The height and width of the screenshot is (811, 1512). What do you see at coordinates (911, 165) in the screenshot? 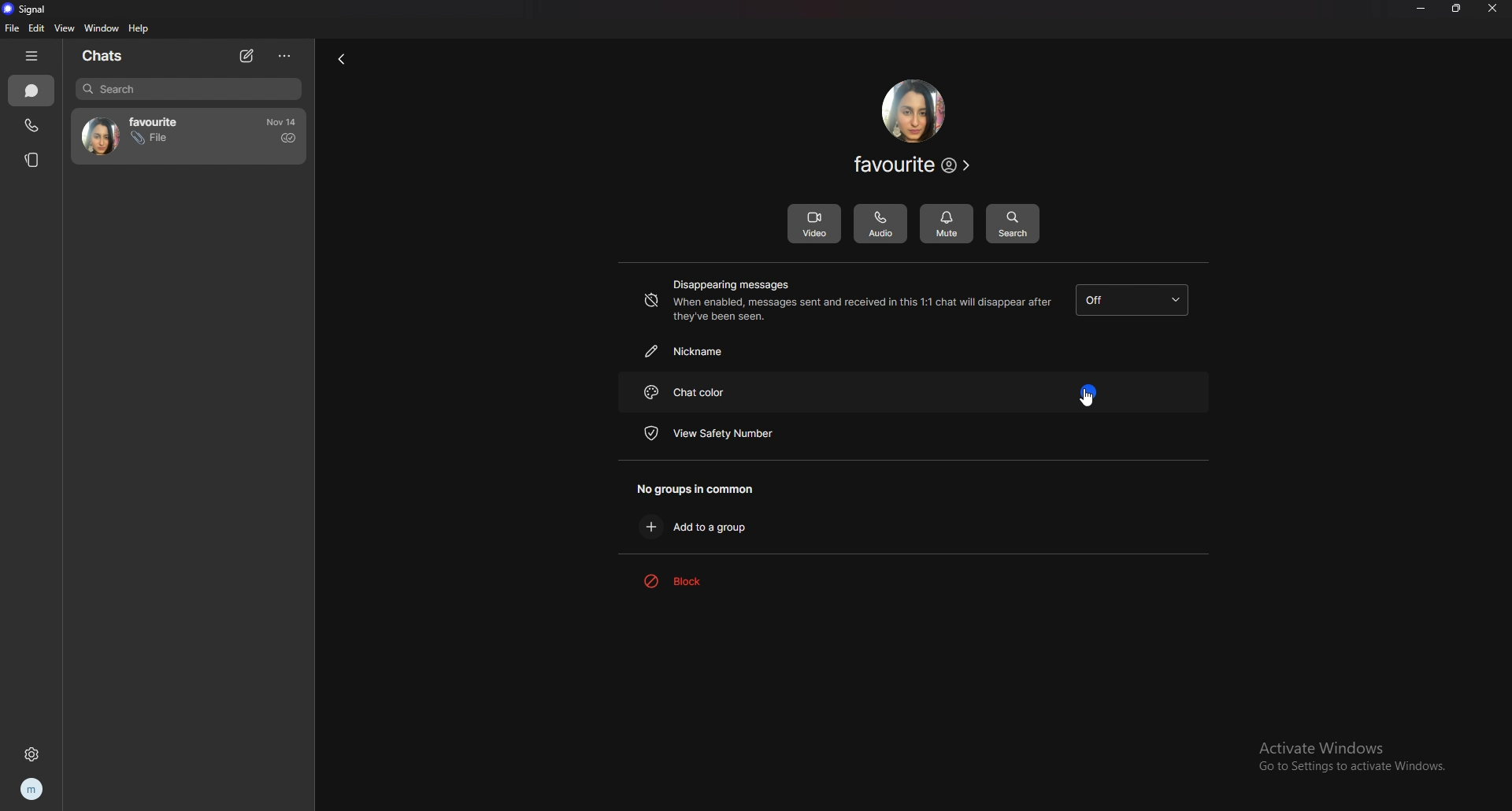
I see `contact info` at bounding box center [911, 165].